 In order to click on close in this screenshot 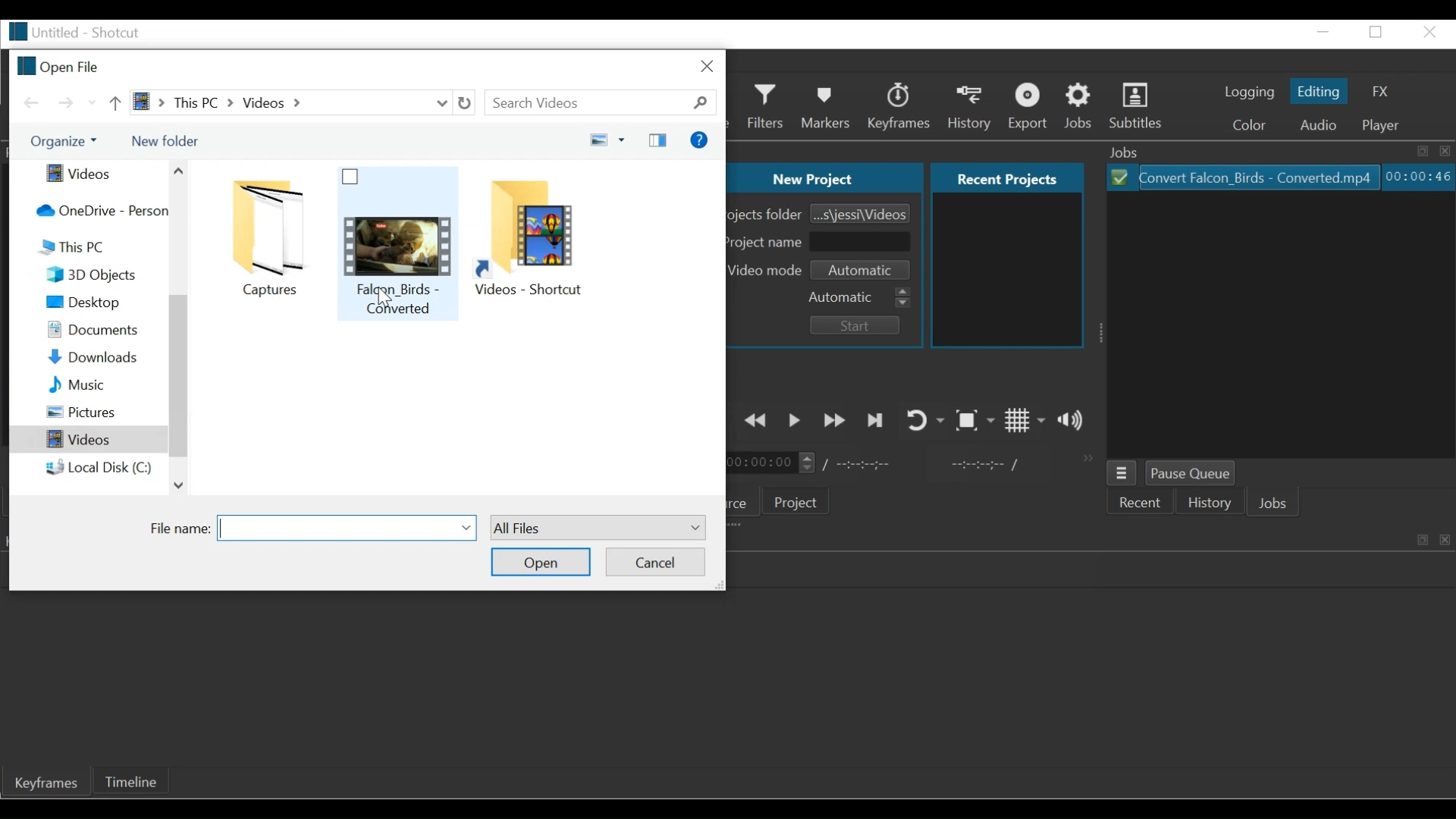, I will do `click(1432, 33)`.